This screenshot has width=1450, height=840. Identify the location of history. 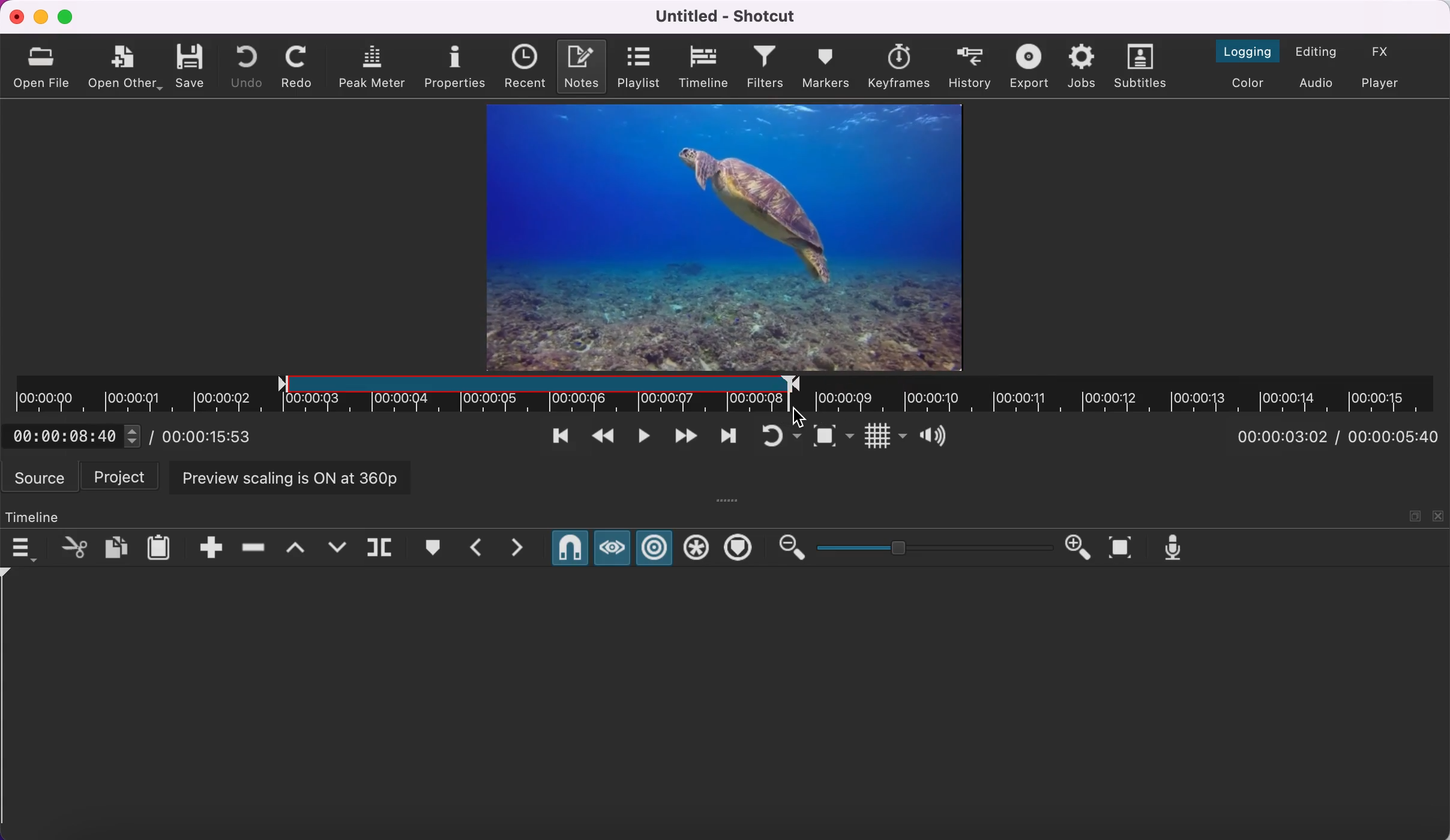
(970, 64).